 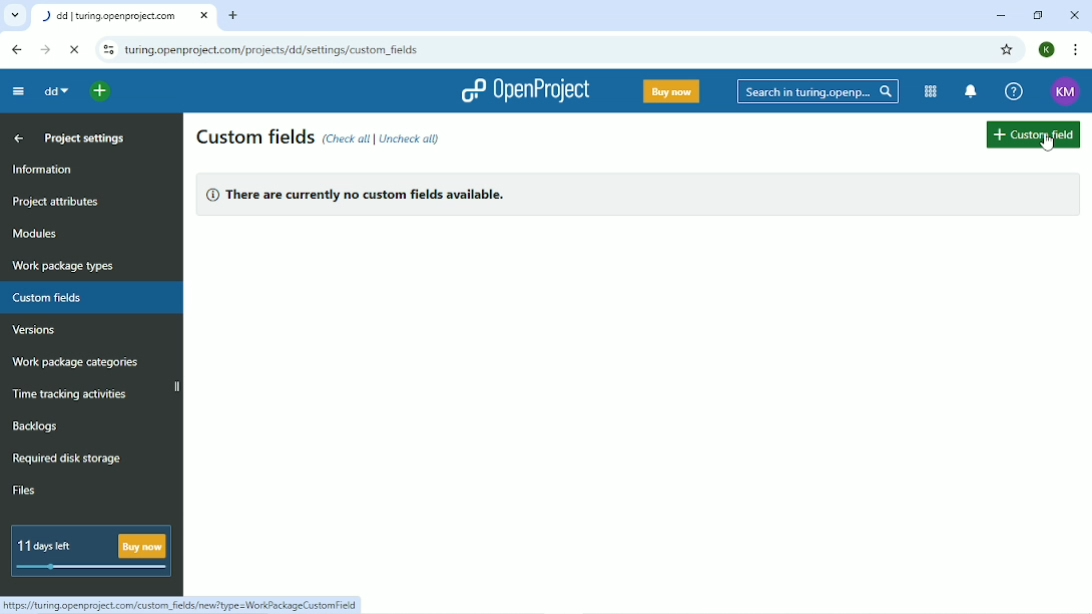 What do you see at coordinates (76, 363) in the screenshot?
I see `Work package categories` at bounding box center [76, 363].